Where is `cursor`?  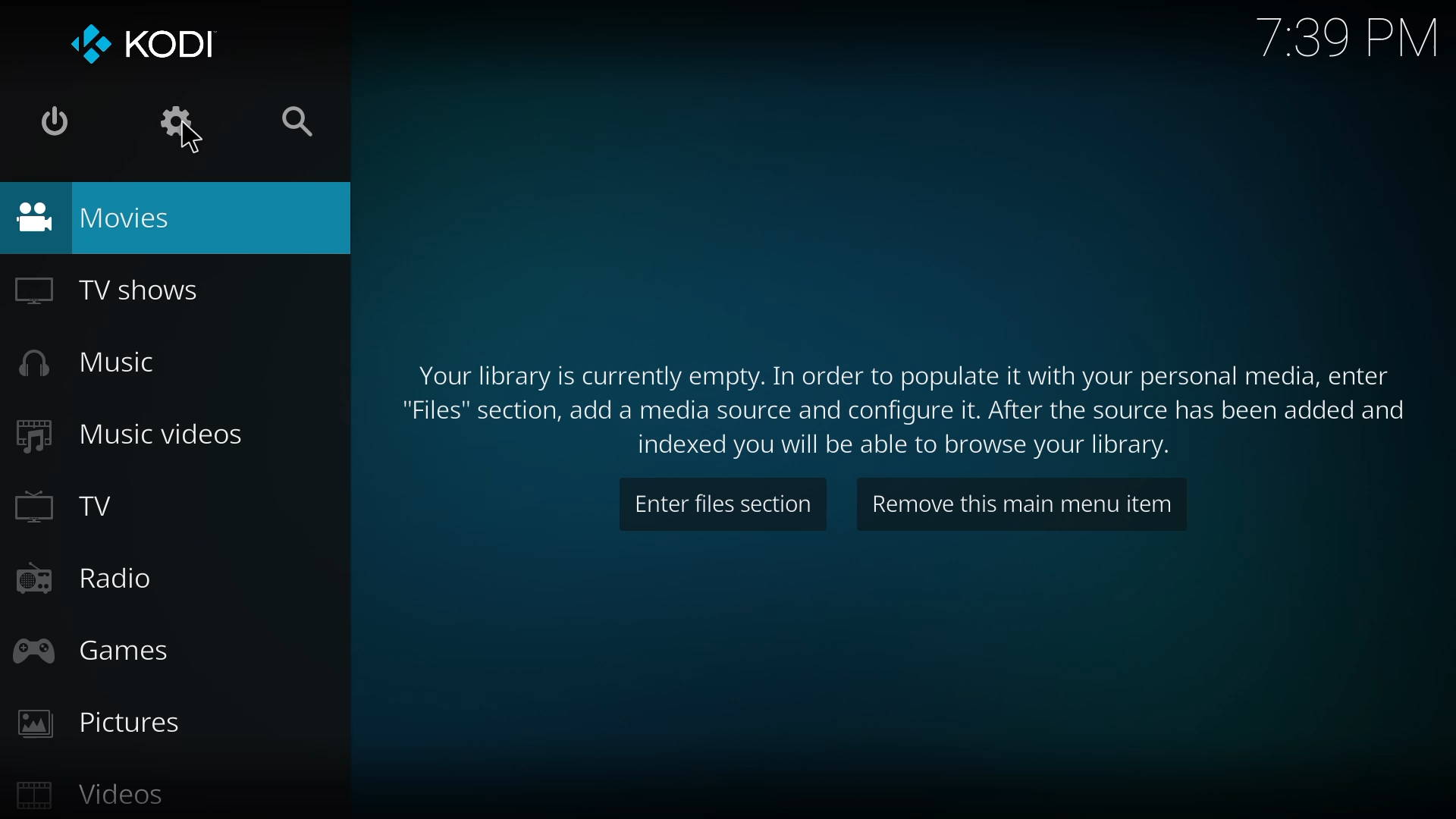
cursor is located at coordinates (193, 140).